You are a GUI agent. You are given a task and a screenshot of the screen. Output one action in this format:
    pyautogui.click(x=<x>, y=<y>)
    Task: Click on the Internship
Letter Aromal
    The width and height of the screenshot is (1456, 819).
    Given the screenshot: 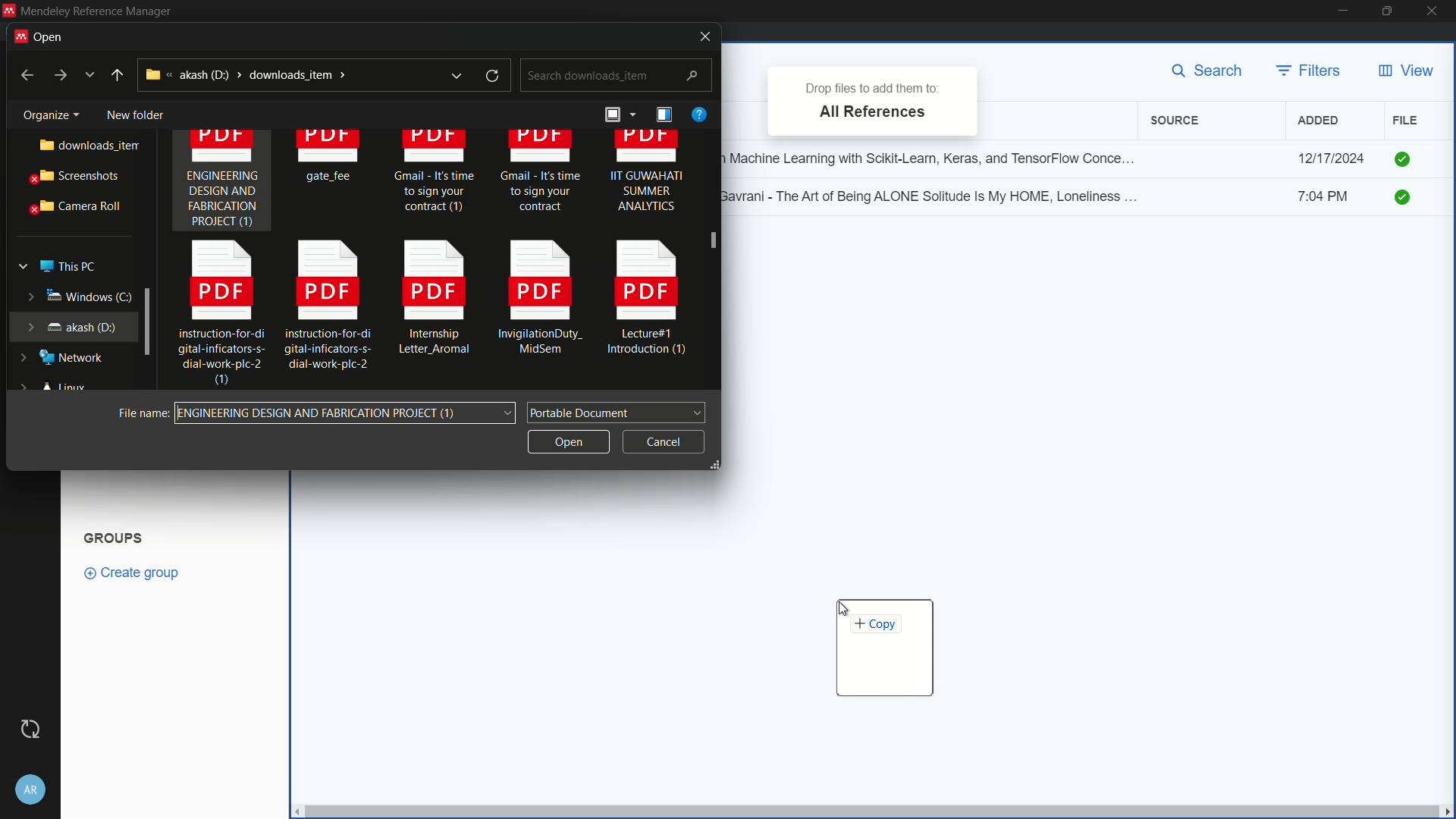 What is the action you would take?
    pyautogui.click(x=429, y=303)
    